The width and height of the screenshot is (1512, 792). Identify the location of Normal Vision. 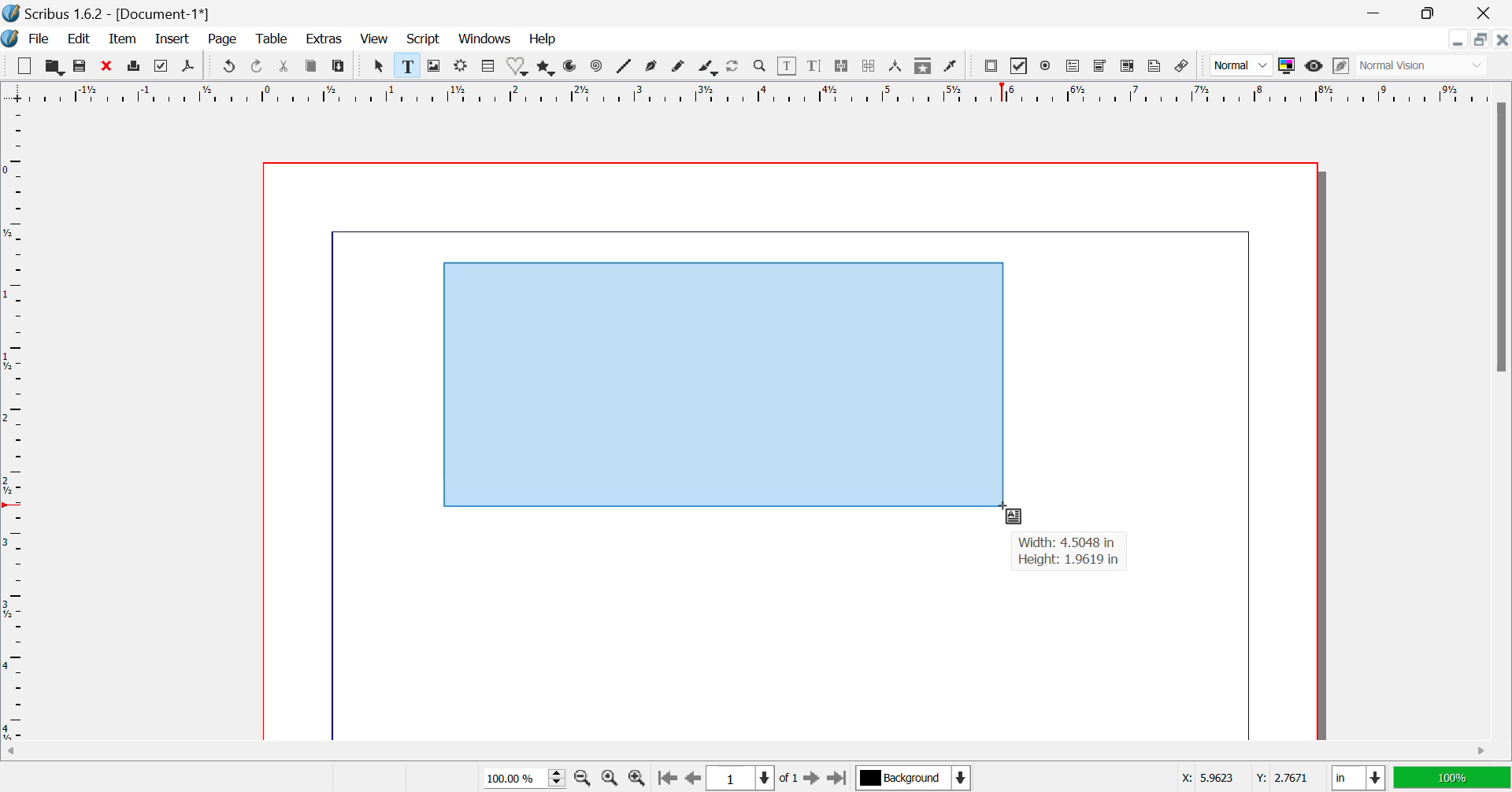
(1425, 67).